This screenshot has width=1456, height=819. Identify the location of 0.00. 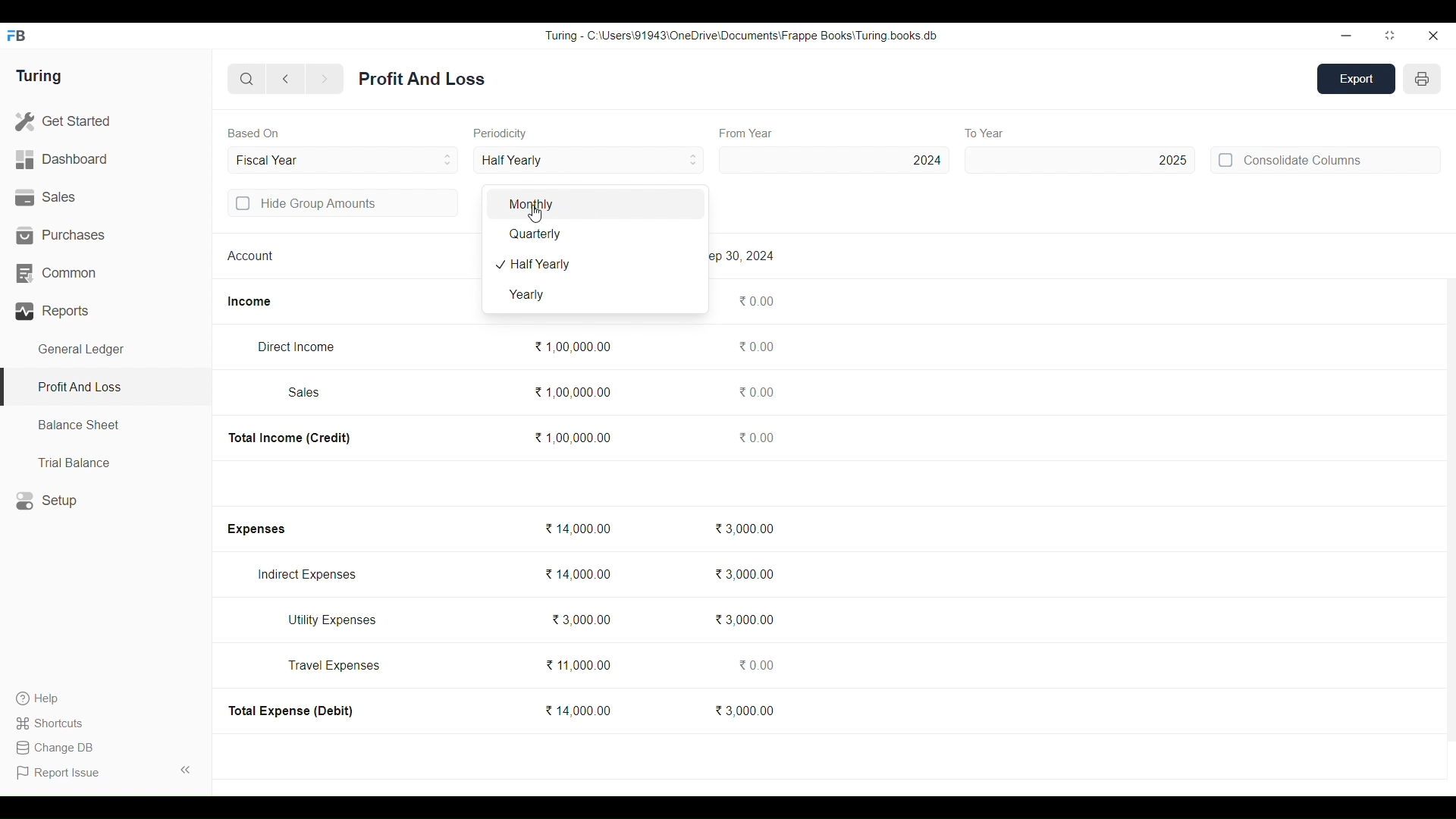
(756, 301).